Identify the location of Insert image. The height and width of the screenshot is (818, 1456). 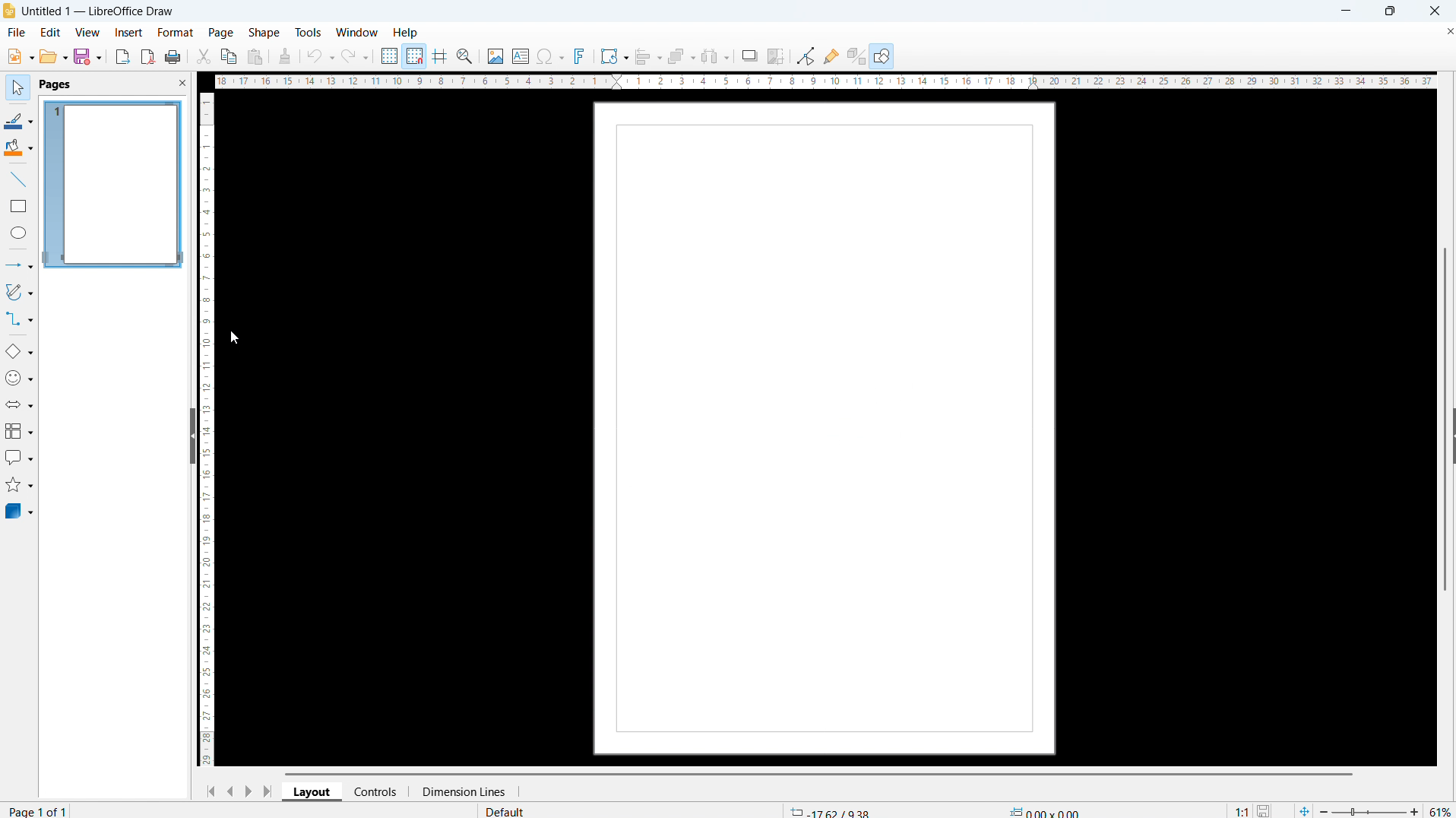
(495, 55).